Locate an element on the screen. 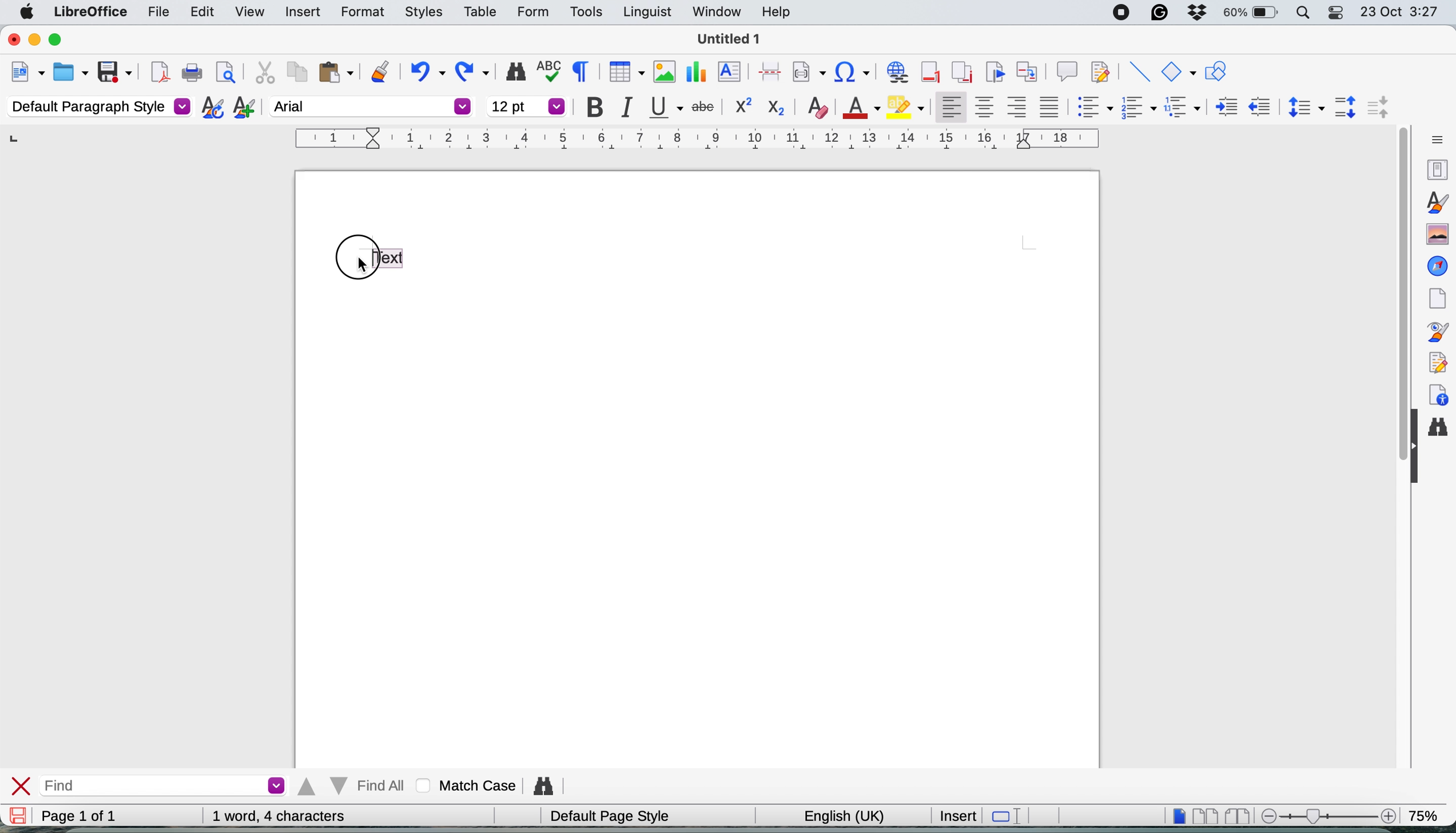 The width and height of the screenshot is (1456, 833). print is located at coordinates (191, 74).